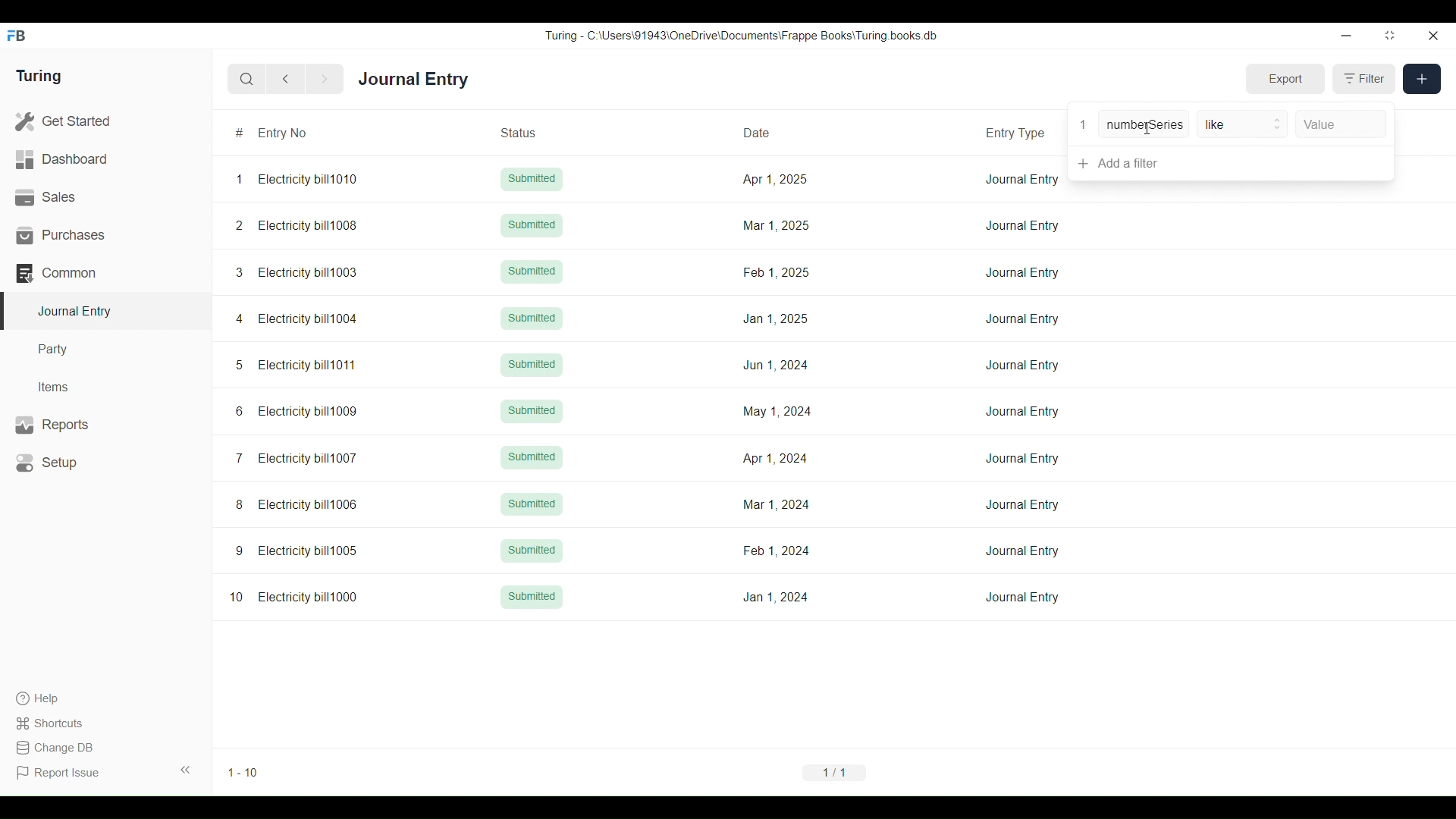 This screenshot has width=1456, height=819. What do you see at coordinates (532, 225) in the screenshot?
I see `Submitted` at bounding box center [532, 225].